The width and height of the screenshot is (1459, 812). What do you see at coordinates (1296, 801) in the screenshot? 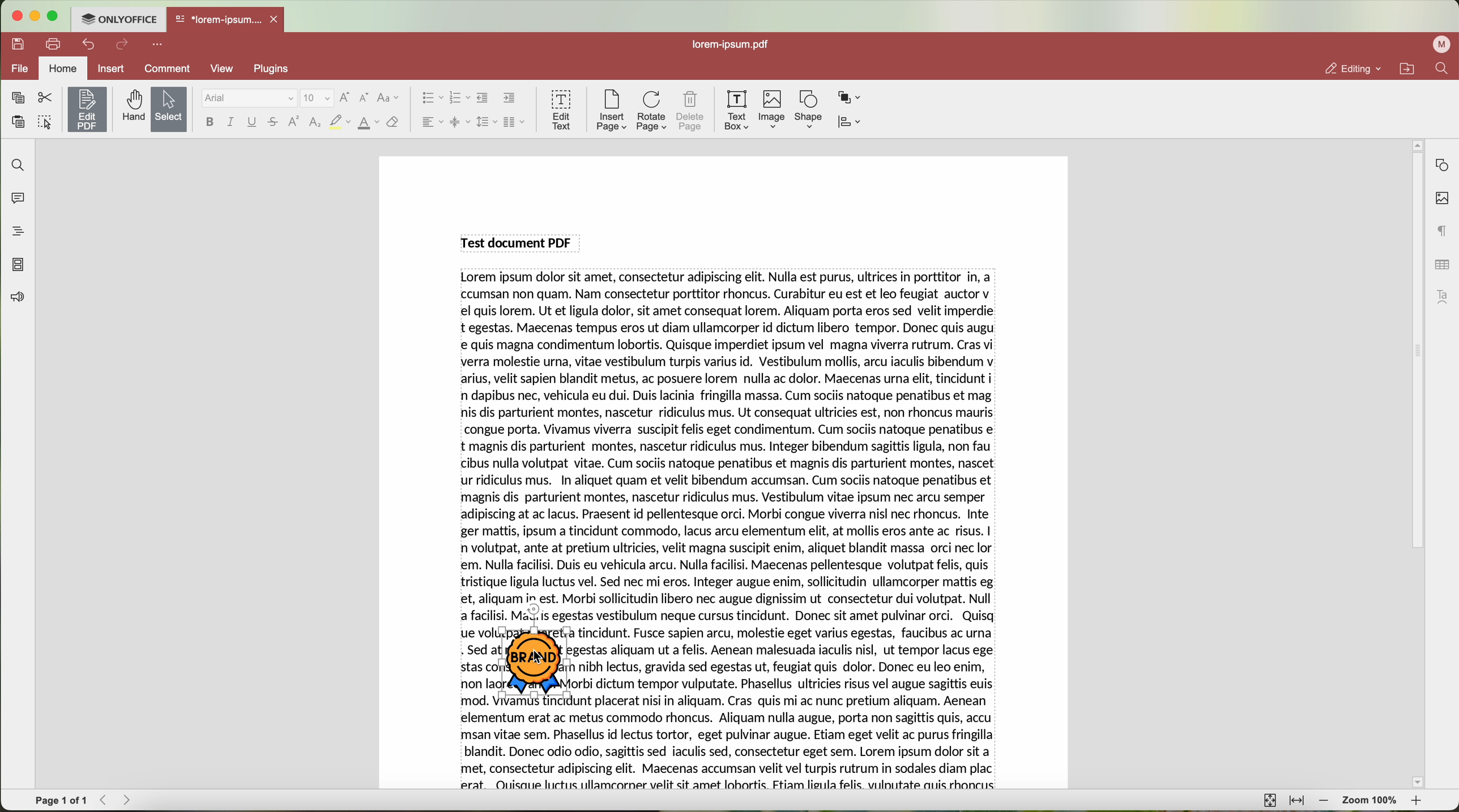
I see `fit to width` at bounding box center [1296, 801].